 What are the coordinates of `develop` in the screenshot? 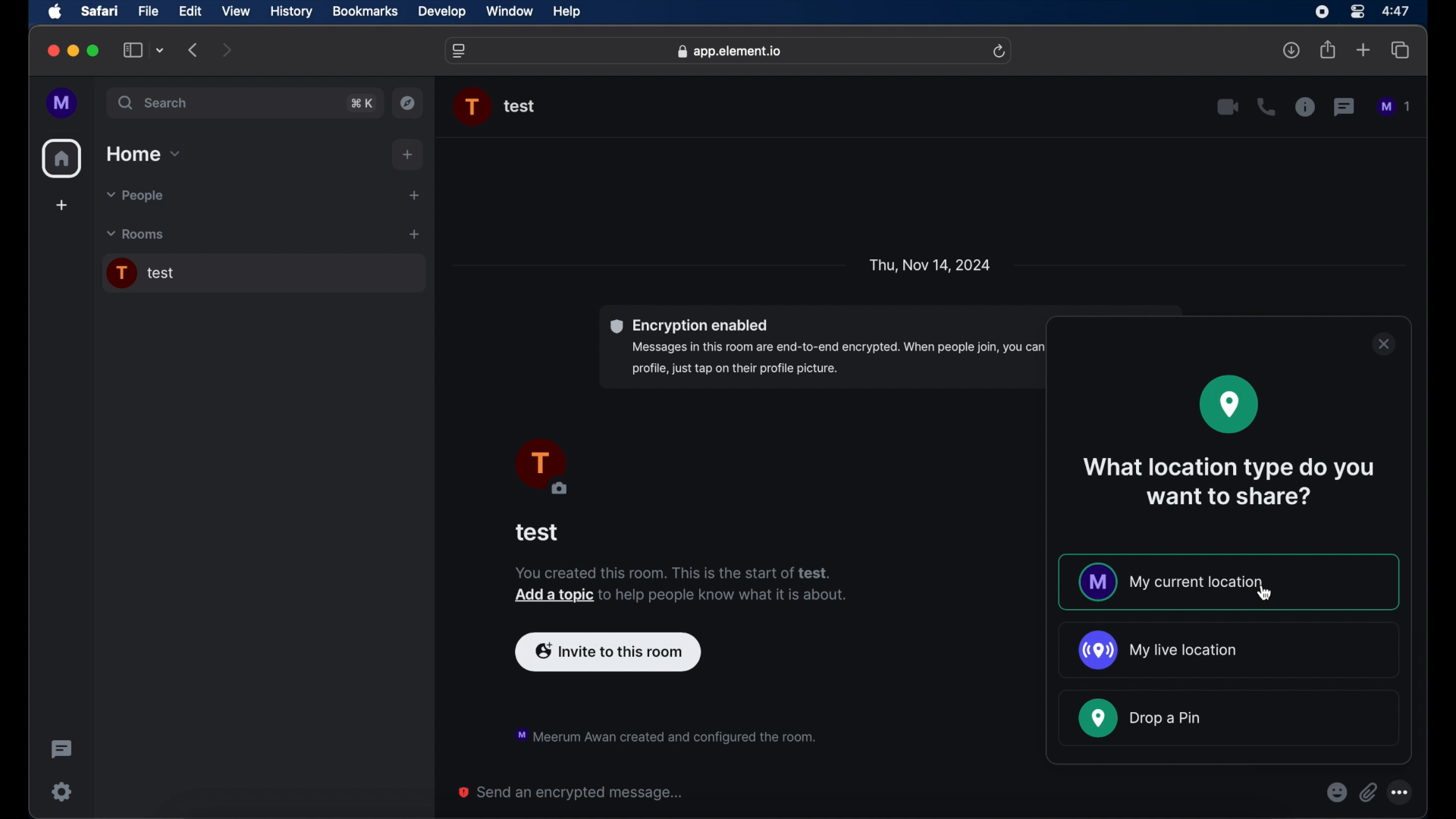 It's located at (442, 12).